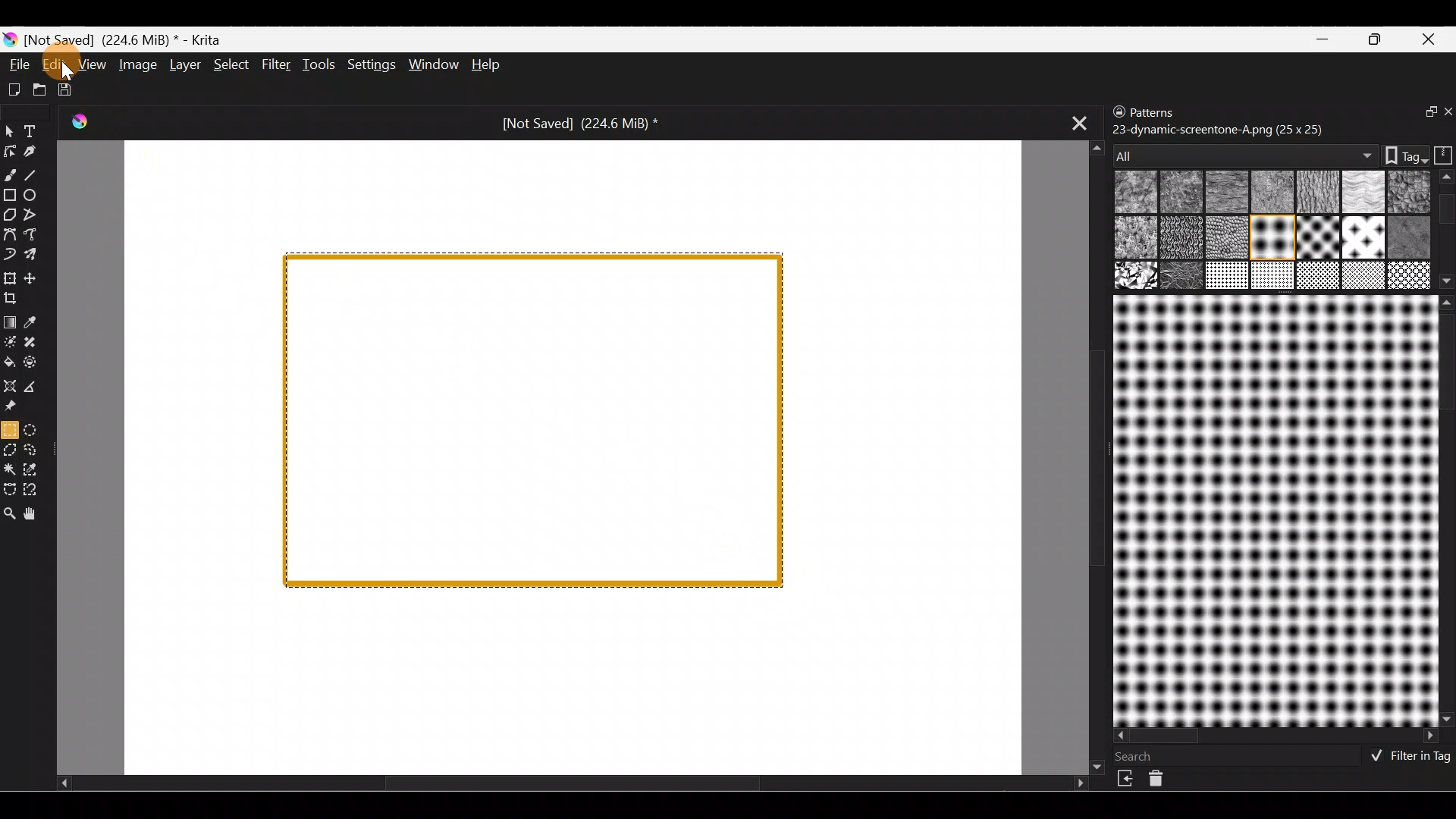 Image resolution: width=1456 pixels, height=819 pixels. What do you see at coordinates (17, 302) in the screenshot?
I see `Crop an image` at bounding box center [17, 302].